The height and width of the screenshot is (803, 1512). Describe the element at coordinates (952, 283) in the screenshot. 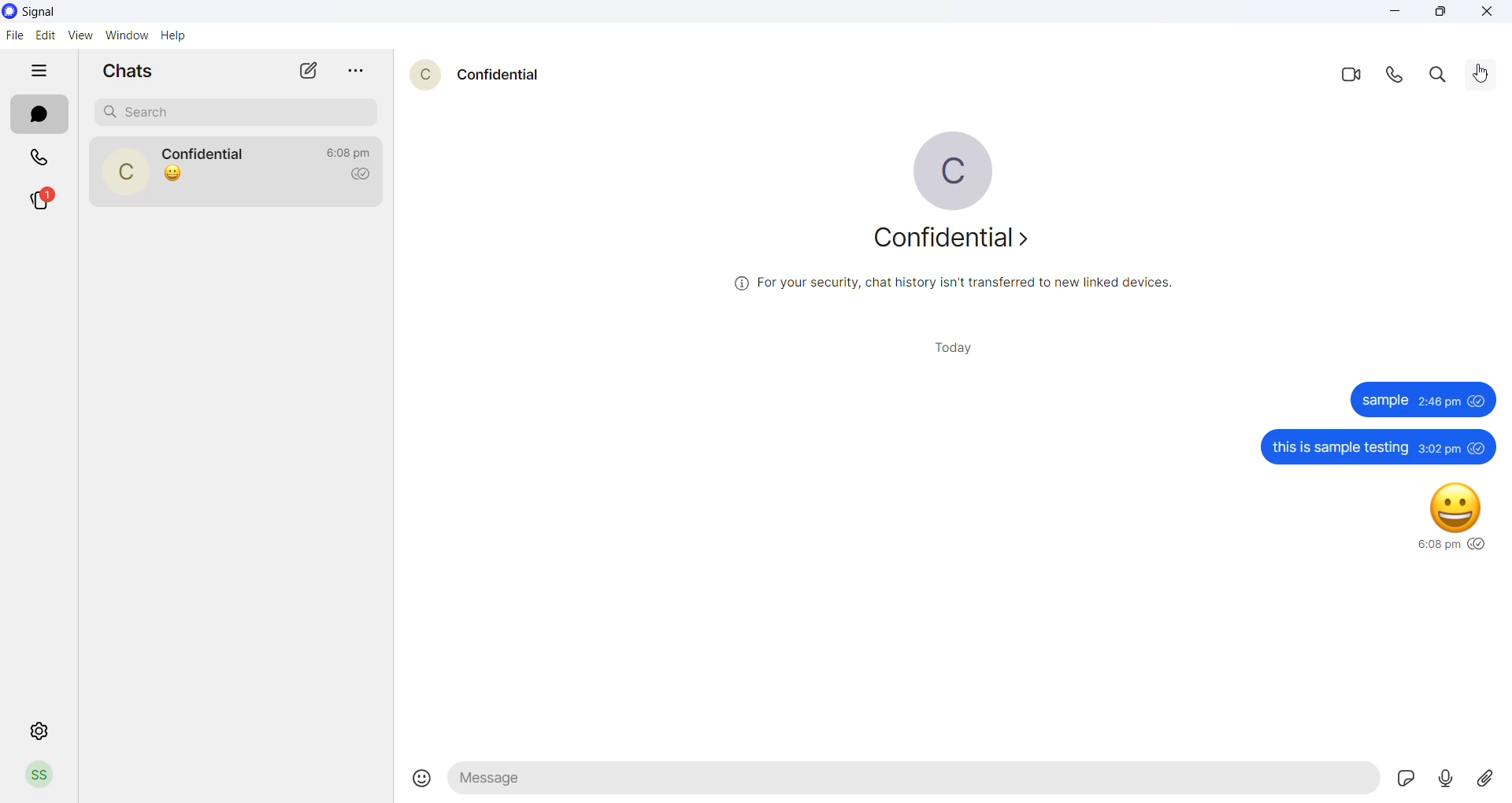

I see `(@ For your security, chat history isn't transferred to new linked devices.` at that location.